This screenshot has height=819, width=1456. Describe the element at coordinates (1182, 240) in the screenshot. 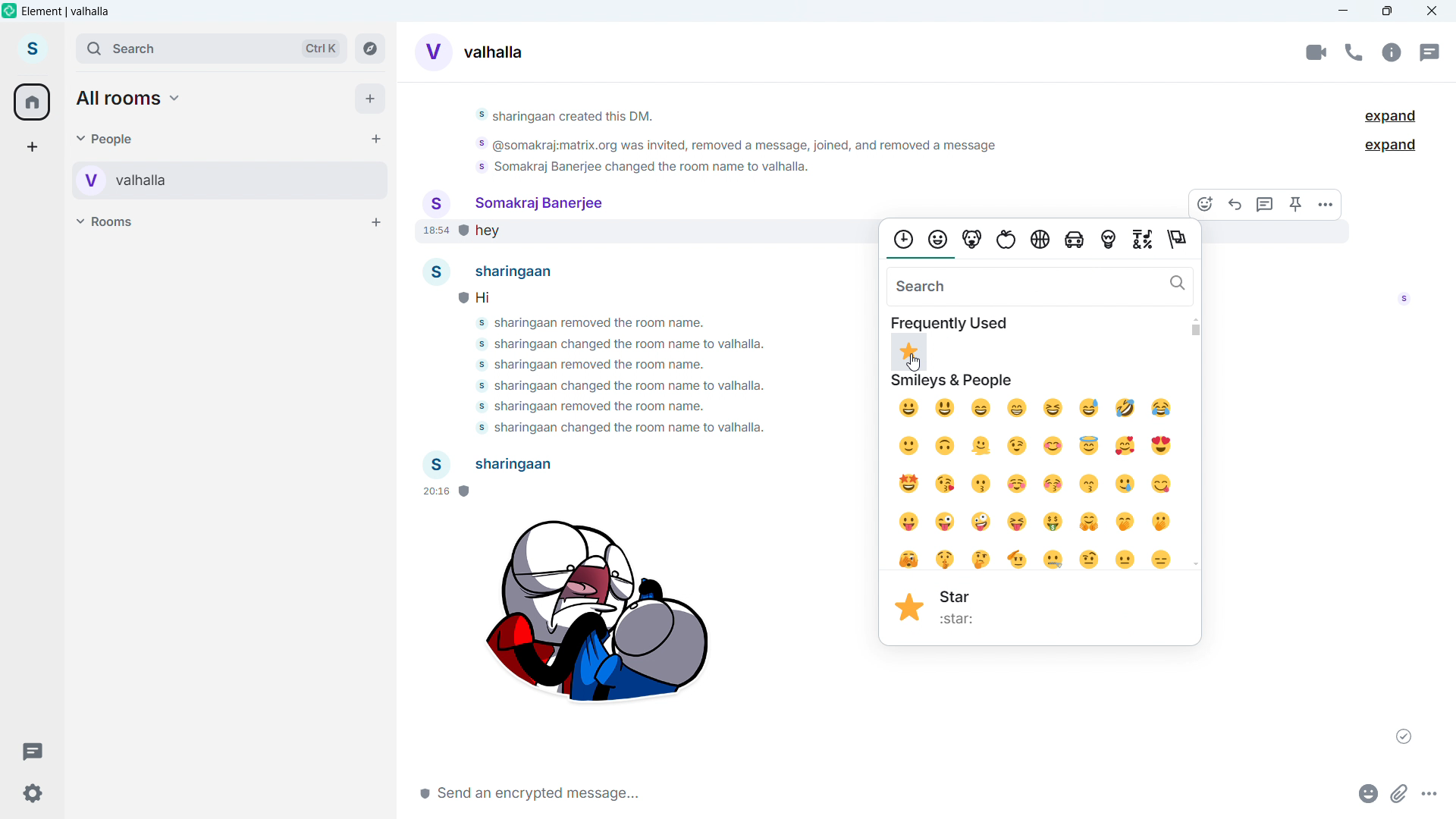

I see `flags` at that location.